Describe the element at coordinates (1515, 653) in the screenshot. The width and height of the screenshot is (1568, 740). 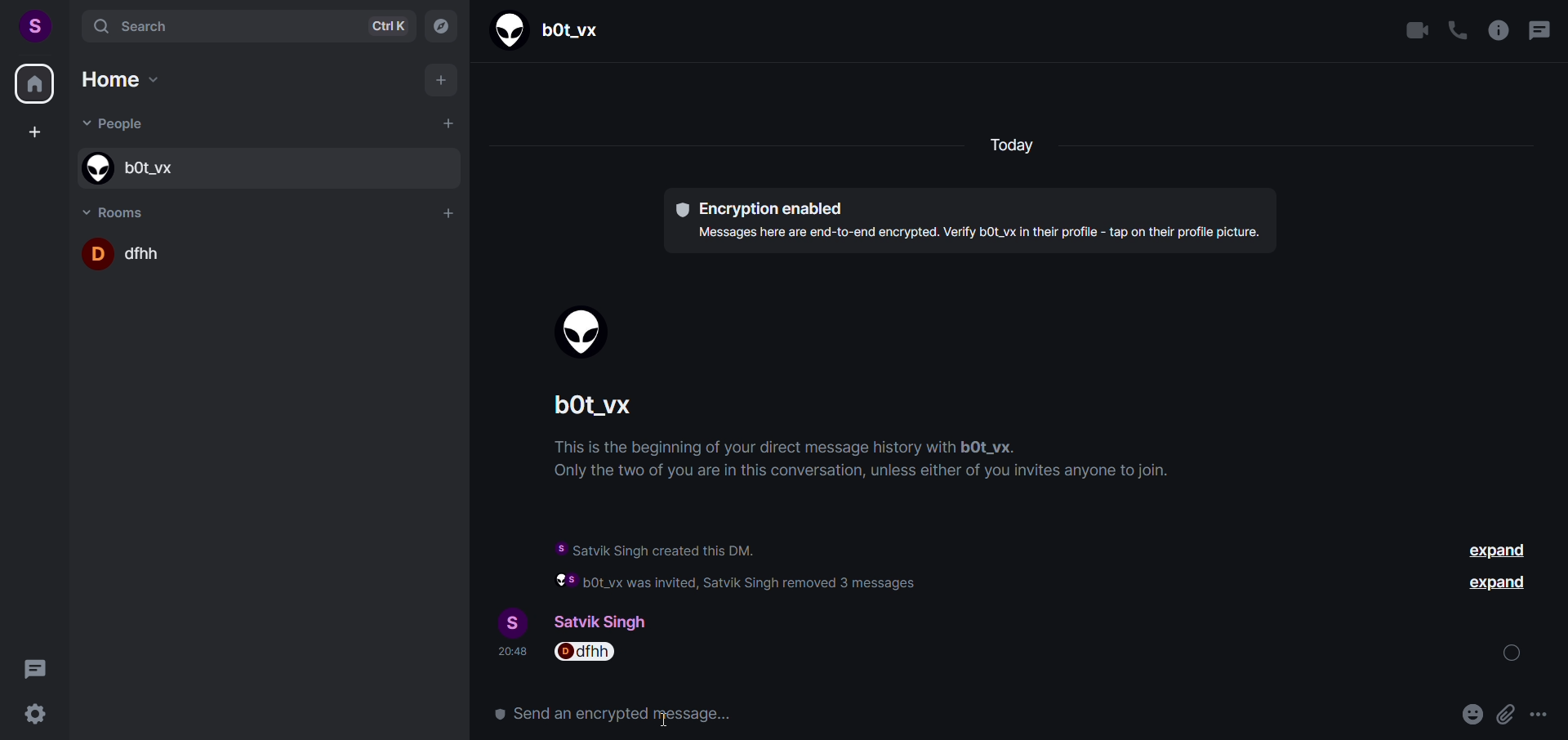
I see `sent` at that location.